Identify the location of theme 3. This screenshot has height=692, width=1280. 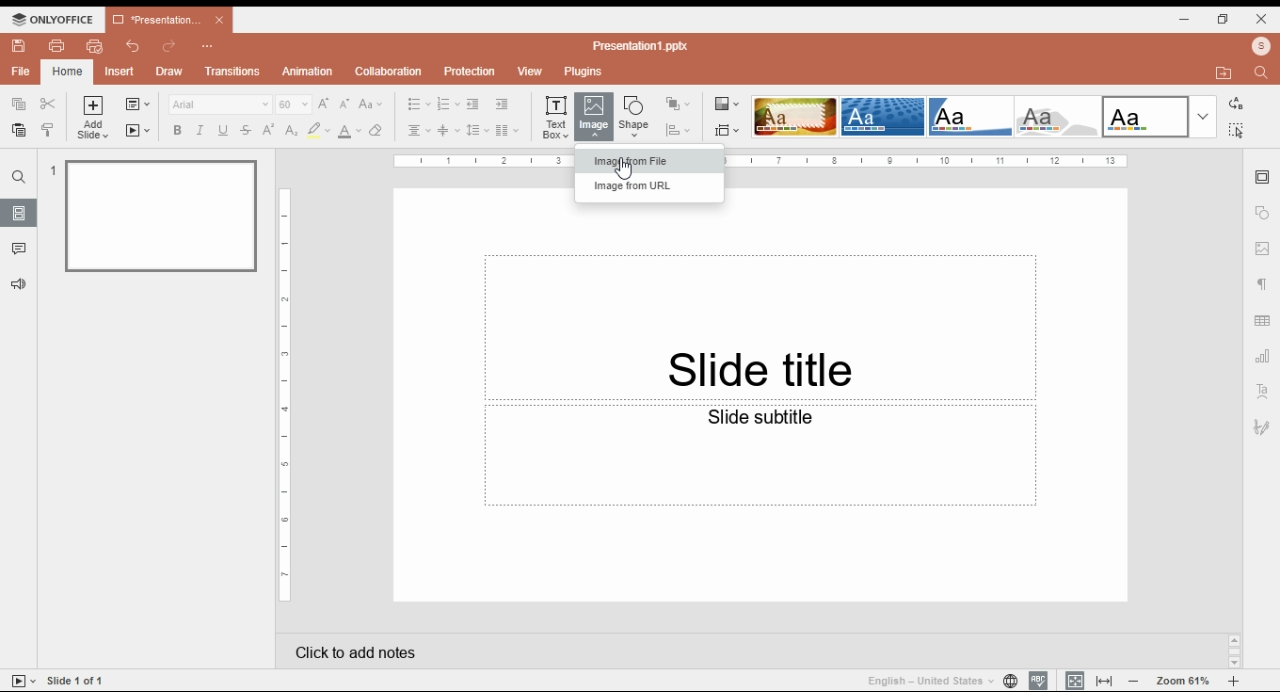
(969, 117).